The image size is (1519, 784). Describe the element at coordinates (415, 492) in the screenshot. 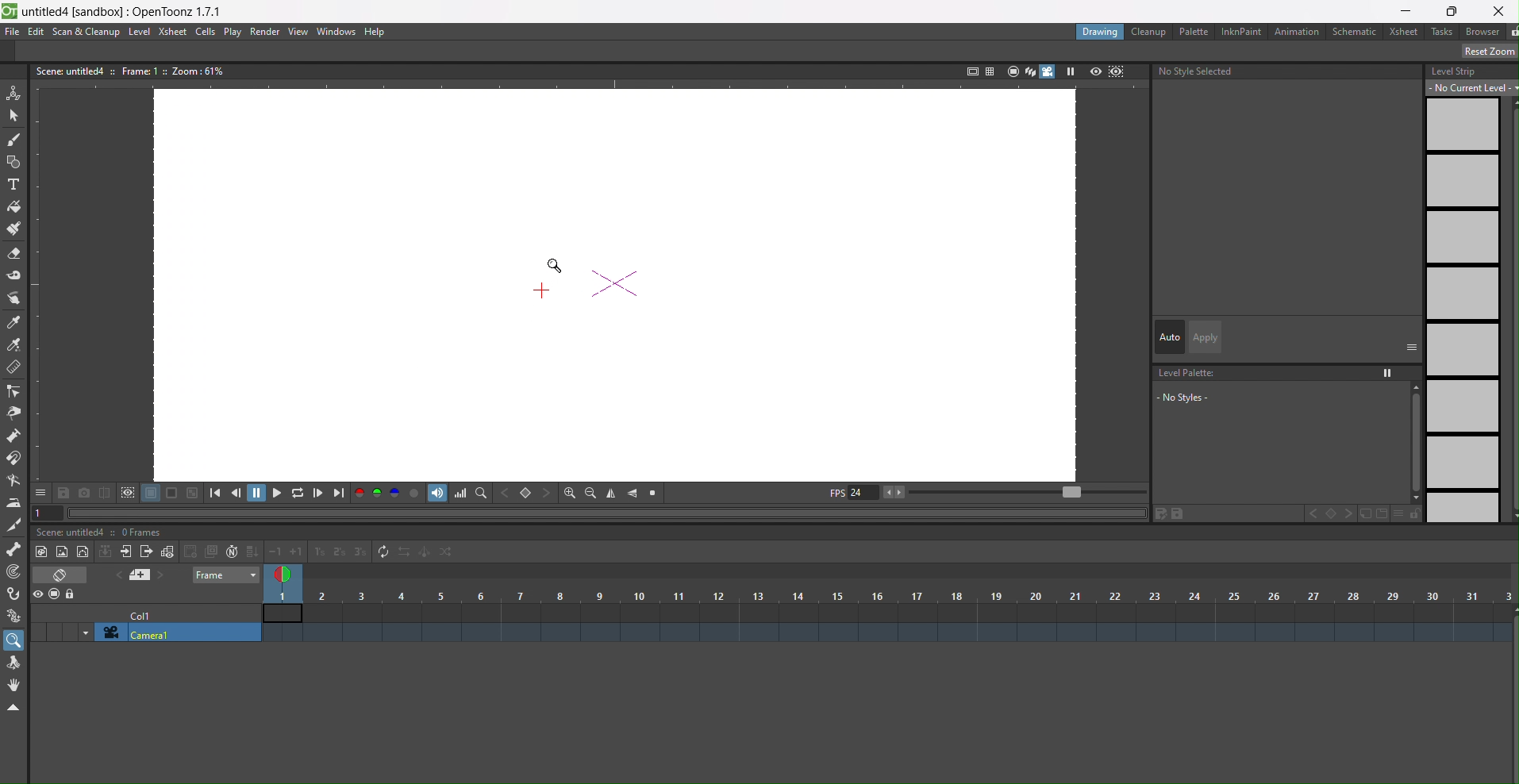

I see `` at that location.